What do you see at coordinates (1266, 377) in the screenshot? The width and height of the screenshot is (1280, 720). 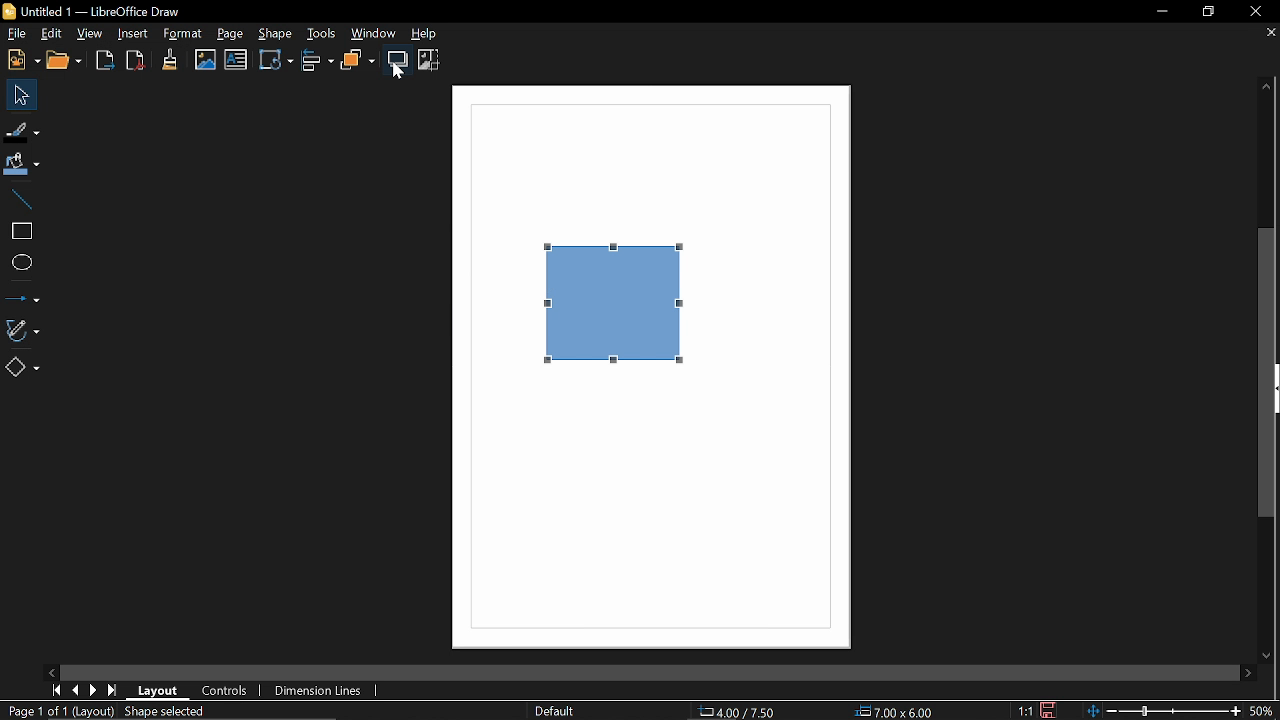 I see `Vertical scrollbar` at bounding box center [1266, 377].